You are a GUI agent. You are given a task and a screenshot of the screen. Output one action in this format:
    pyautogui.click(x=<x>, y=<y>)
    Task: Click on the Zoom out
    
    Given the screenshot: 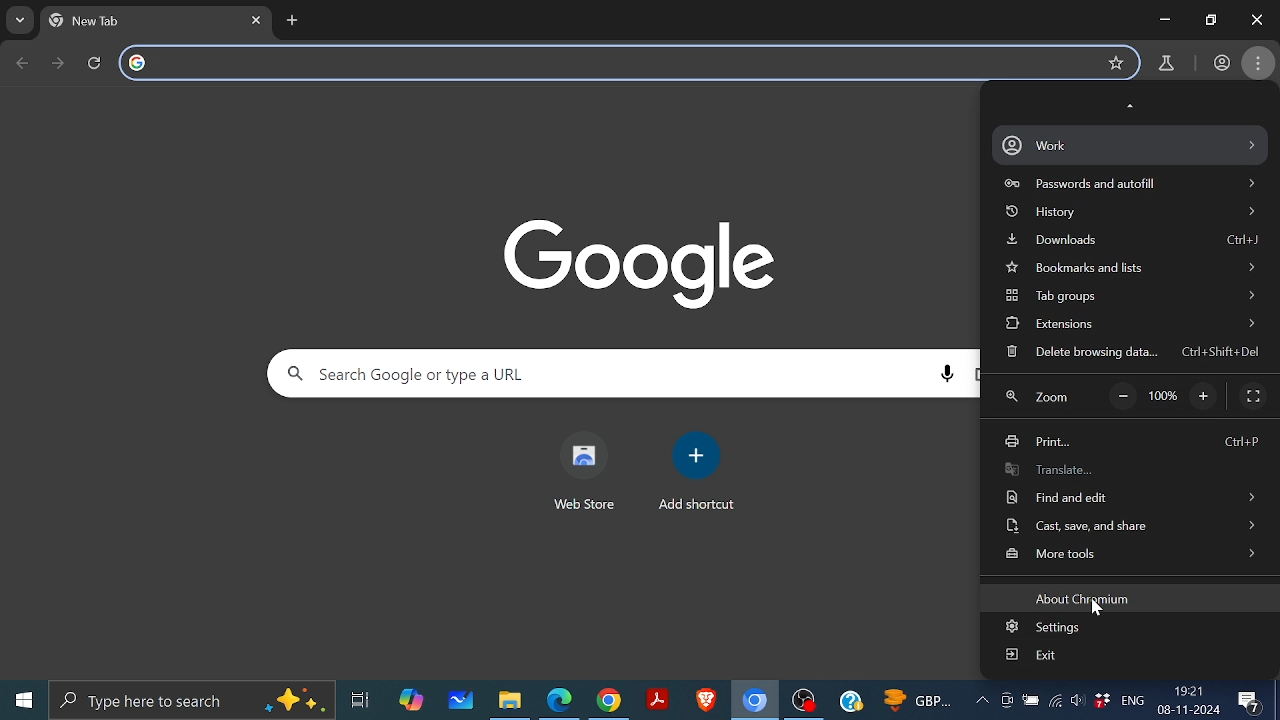 What is the action you would take?
    pyautogui.click(x=1124, y=397)
    